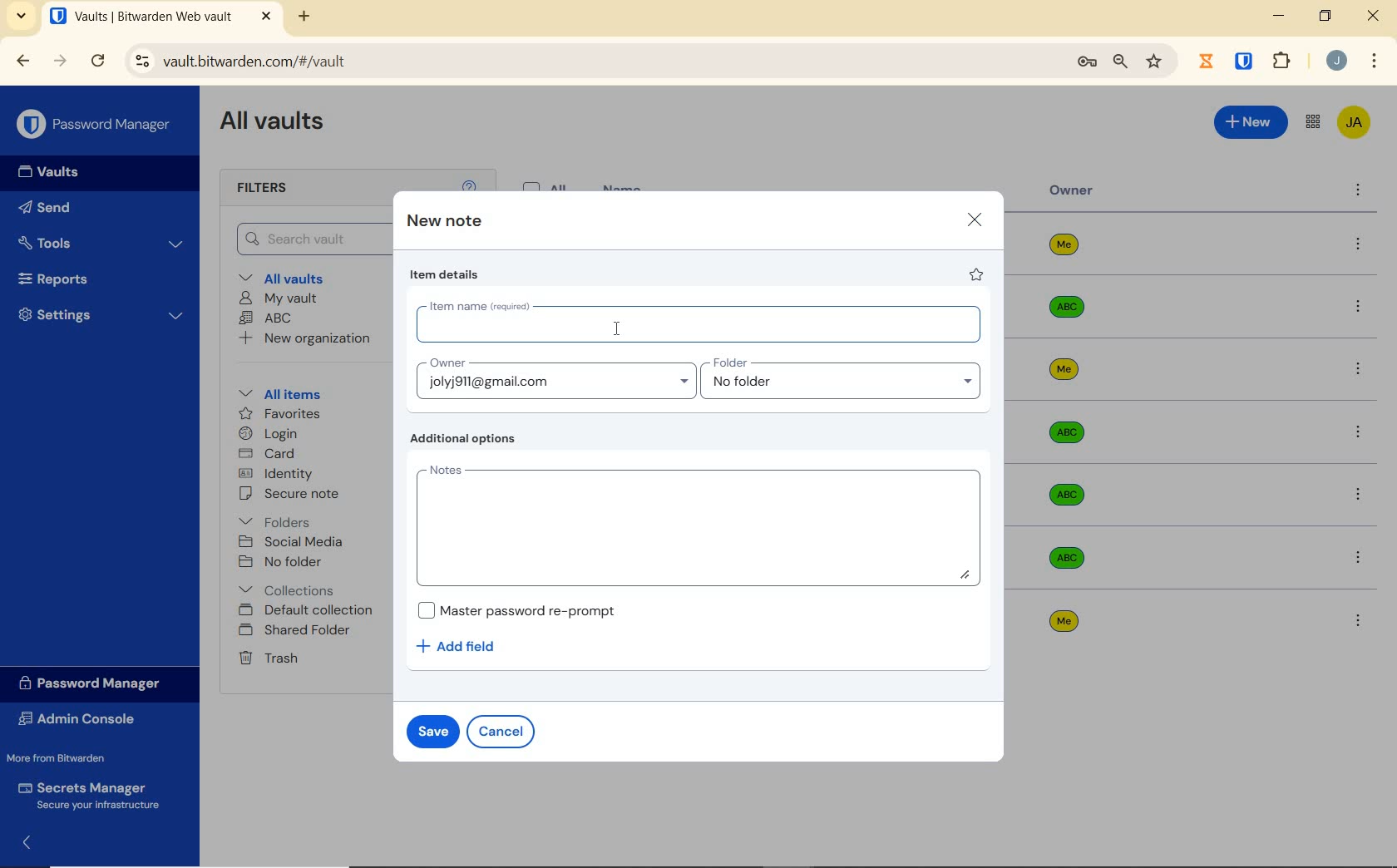 The height and width of the screenshot is (868, 1397). What do you see at coordinates (469, 184) in the screenshot?
I see `help` at bounding box center [469, 184].